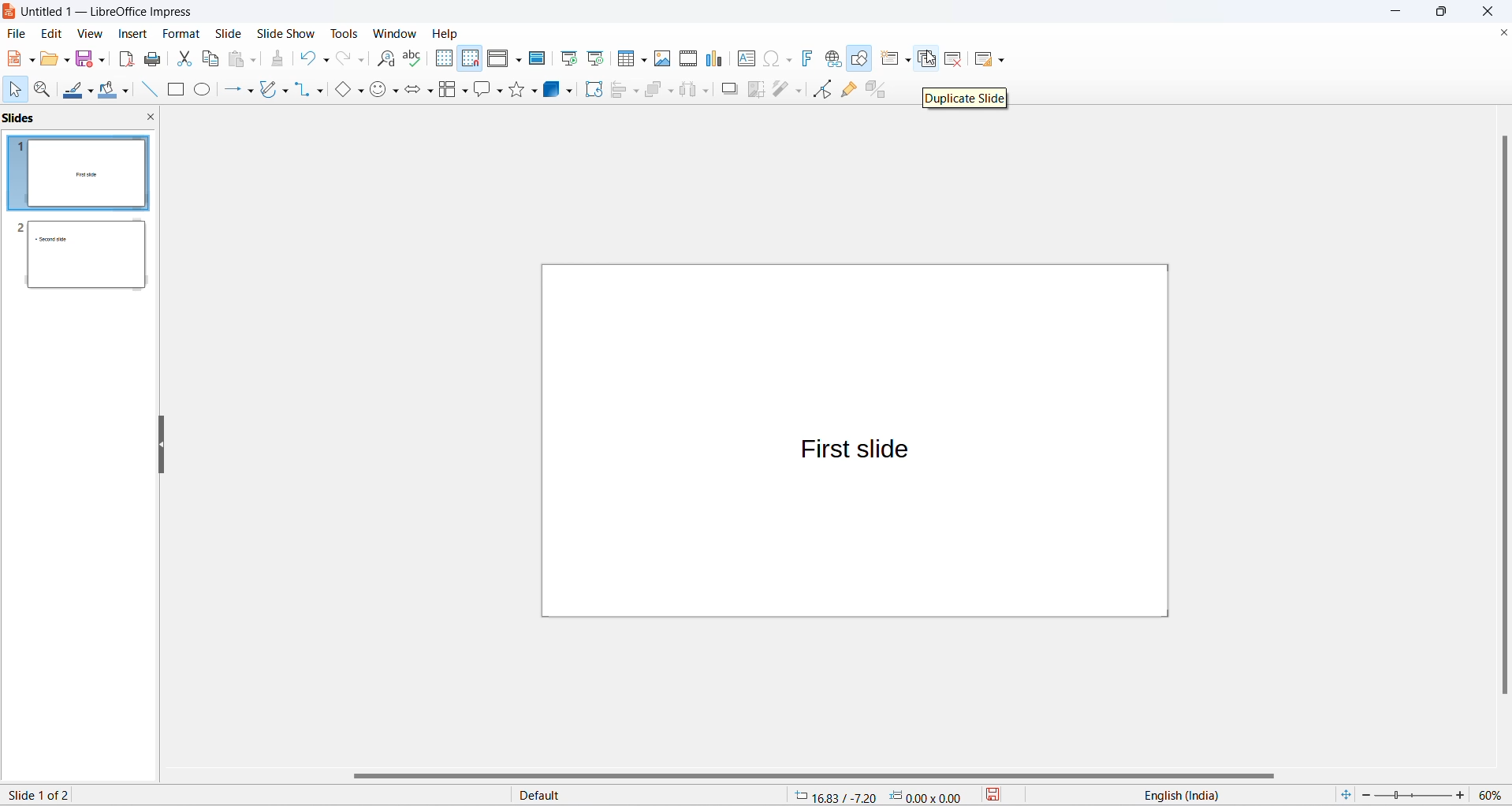  I want to click on slide layout, so click(981, 60).